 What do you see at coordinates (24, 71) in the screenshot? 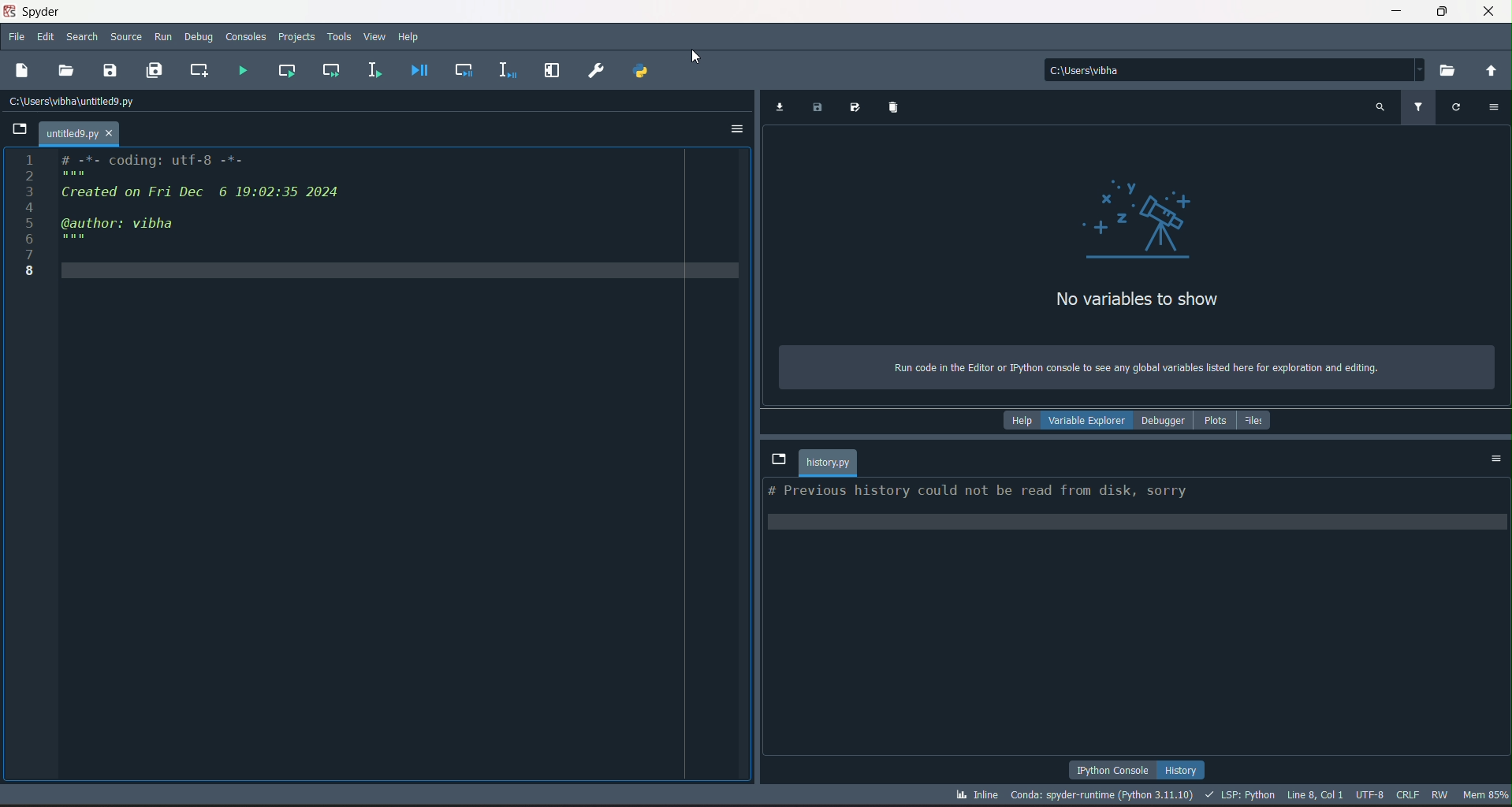
I see `new file` at bounding box center [24, 71].